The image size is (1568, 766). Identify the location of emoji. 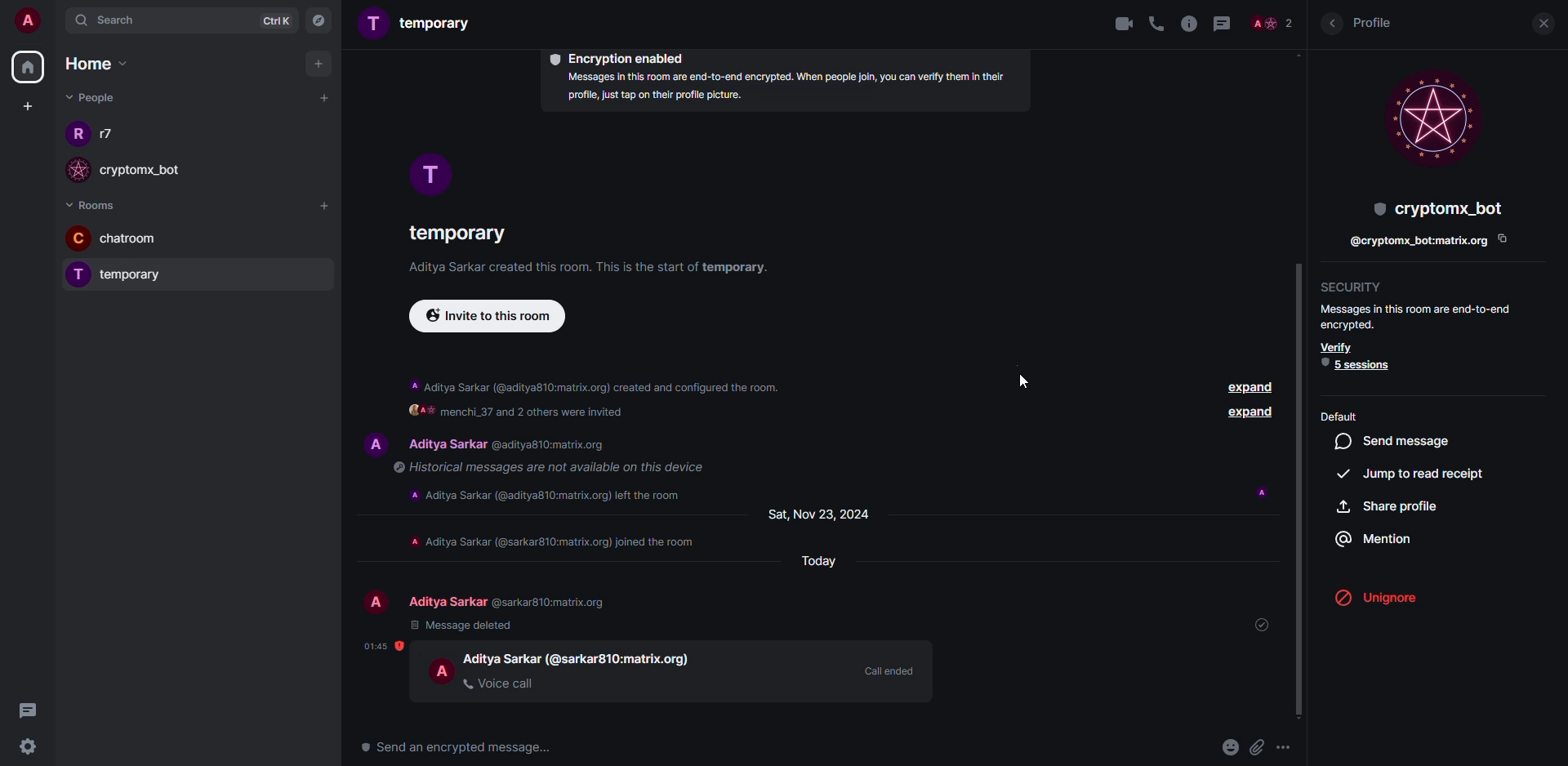
(1231, 746).